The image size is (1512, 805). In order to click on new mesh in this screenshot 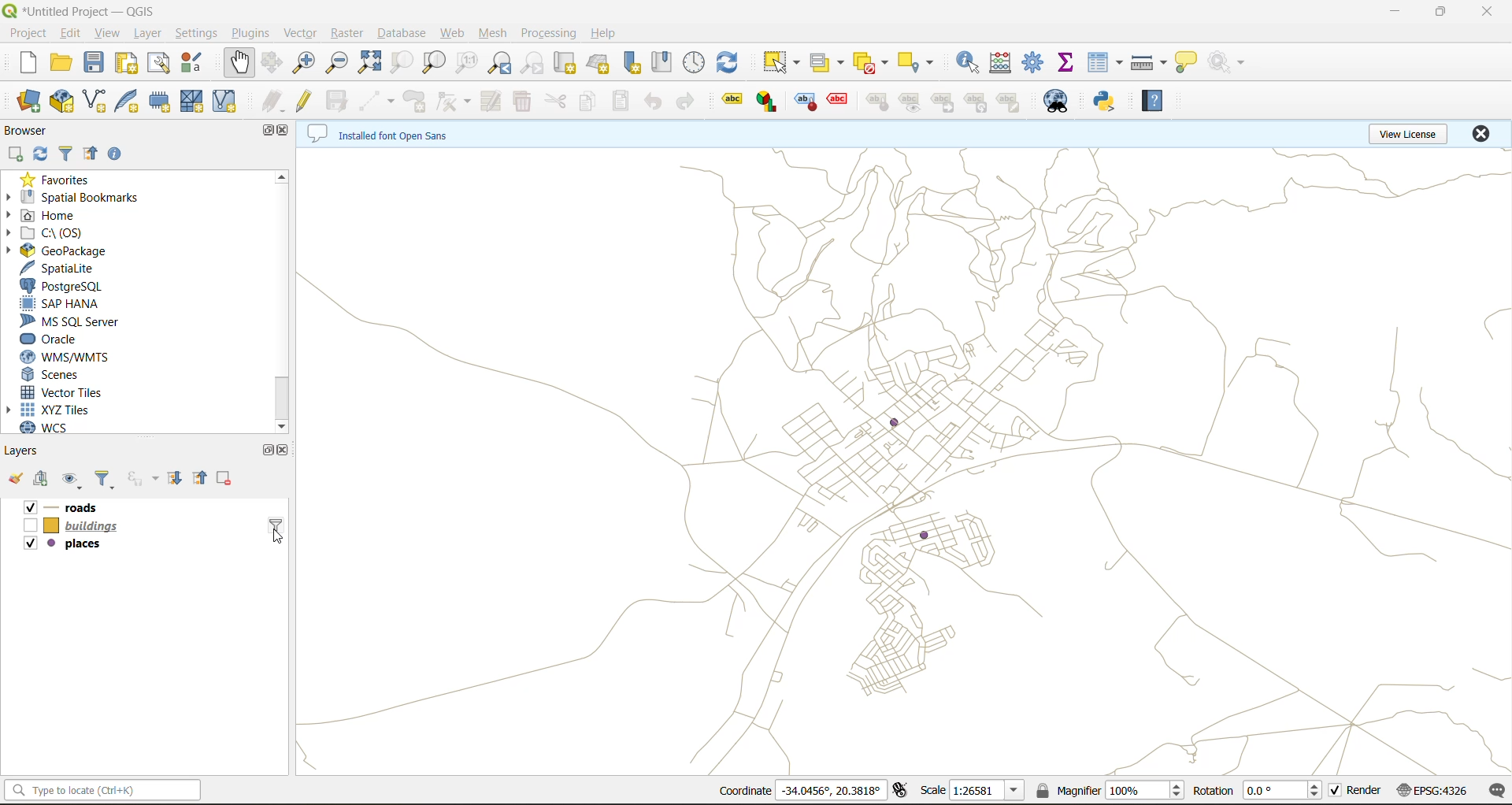, I will do `click(196, 103)`.